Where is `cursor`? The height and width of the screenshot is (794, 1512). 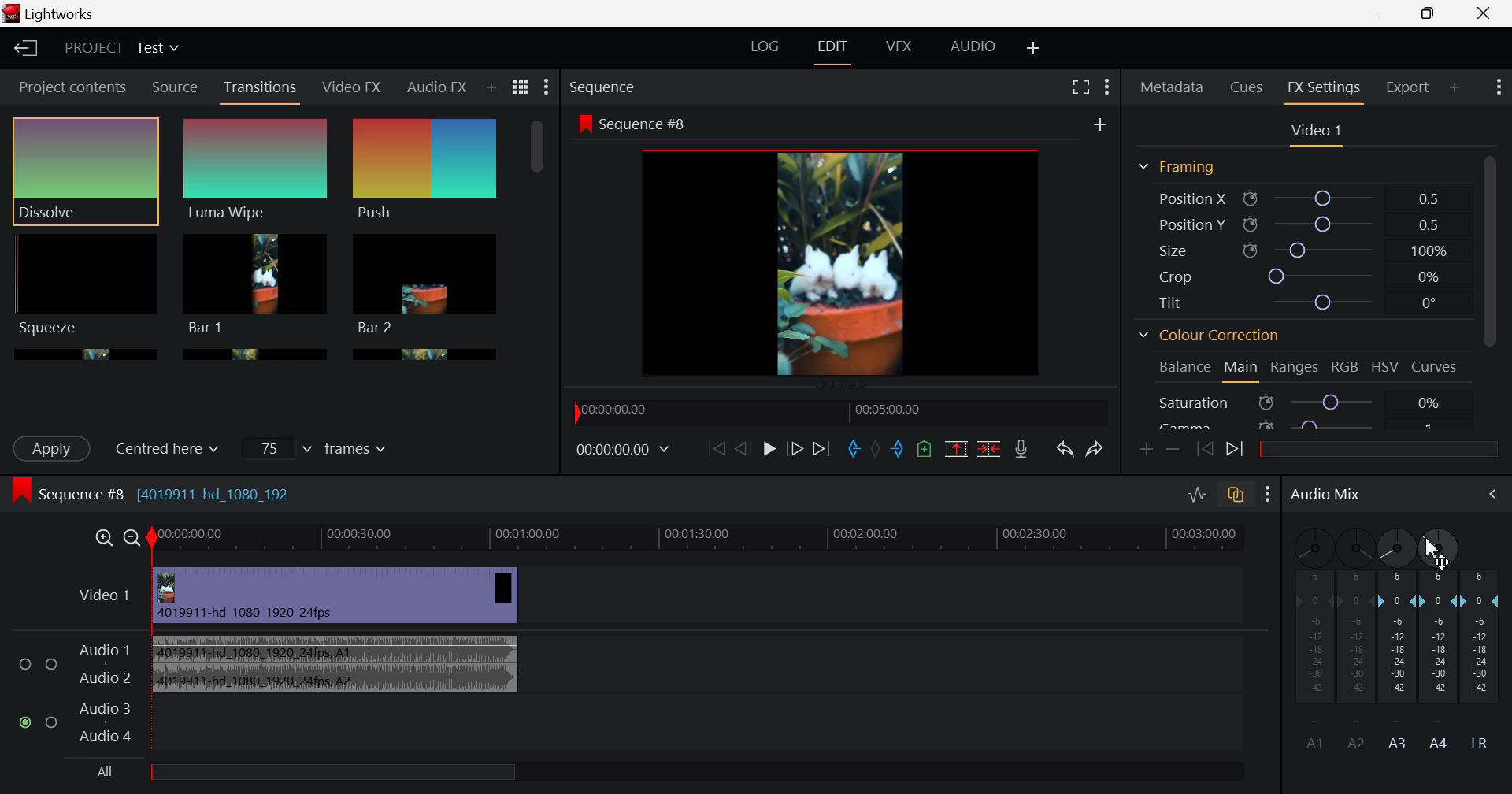
cursor is located at coordinates (1428, 549).